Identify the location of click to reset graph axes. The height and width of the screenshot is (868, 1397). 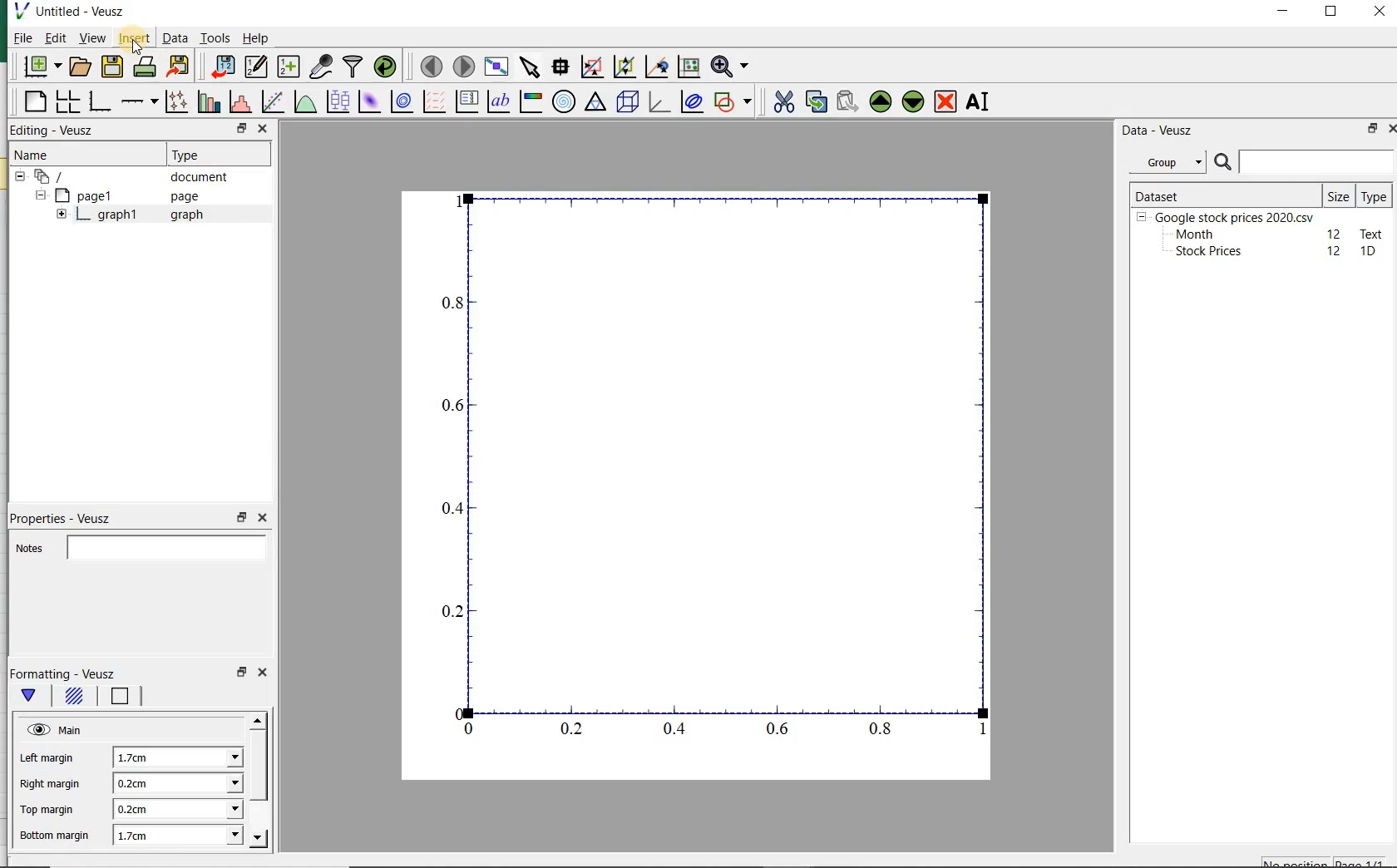
(687, 67).